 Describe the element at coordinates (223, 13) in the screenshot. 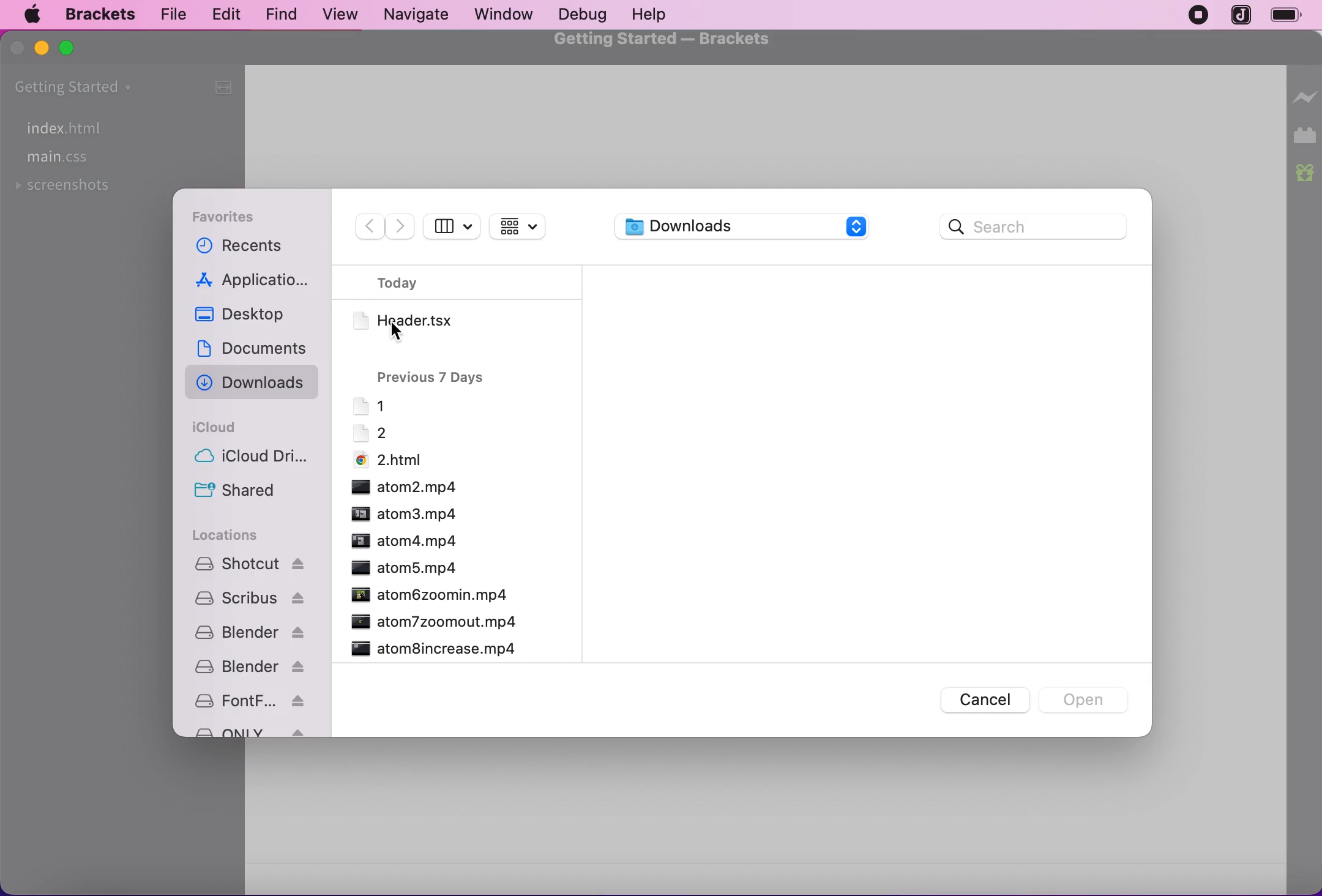

I see `edit` at that location.